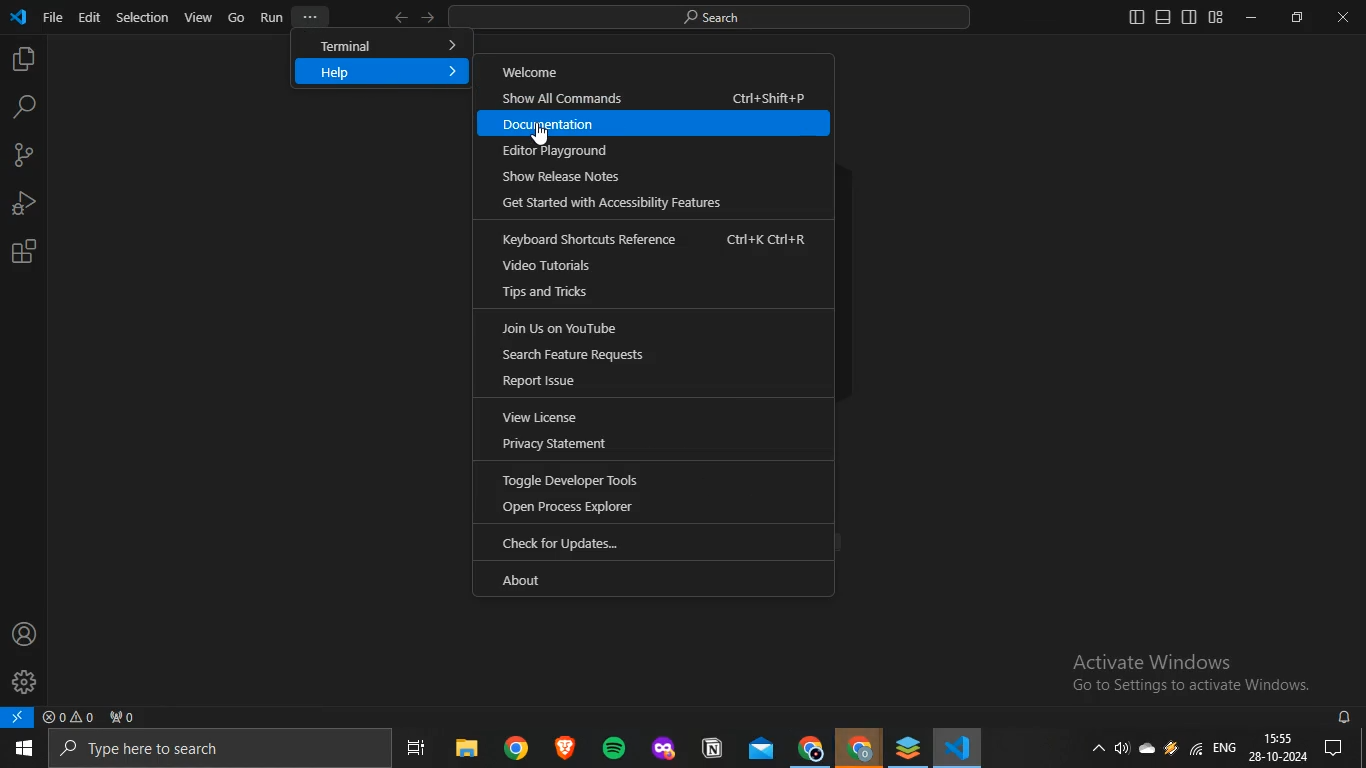 The image size is (1366, 768). Describe the element at coordinates (656, 379) in the screenshot. I see `Report Issue.` at that location.